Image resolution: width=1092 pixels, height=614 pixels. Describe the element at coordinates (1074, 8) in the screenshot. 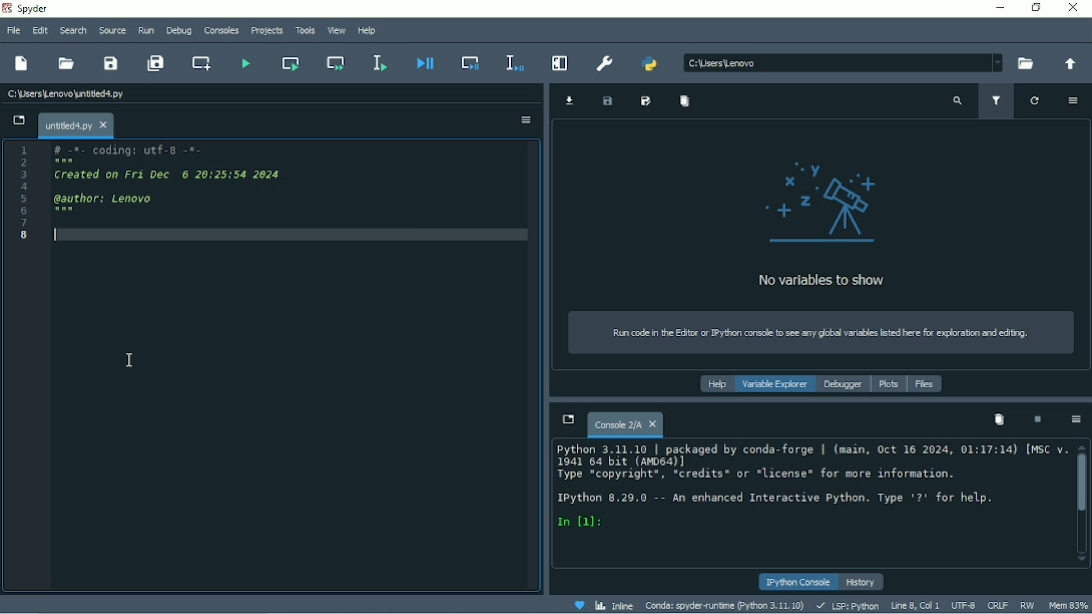

I see `Close` at that location.